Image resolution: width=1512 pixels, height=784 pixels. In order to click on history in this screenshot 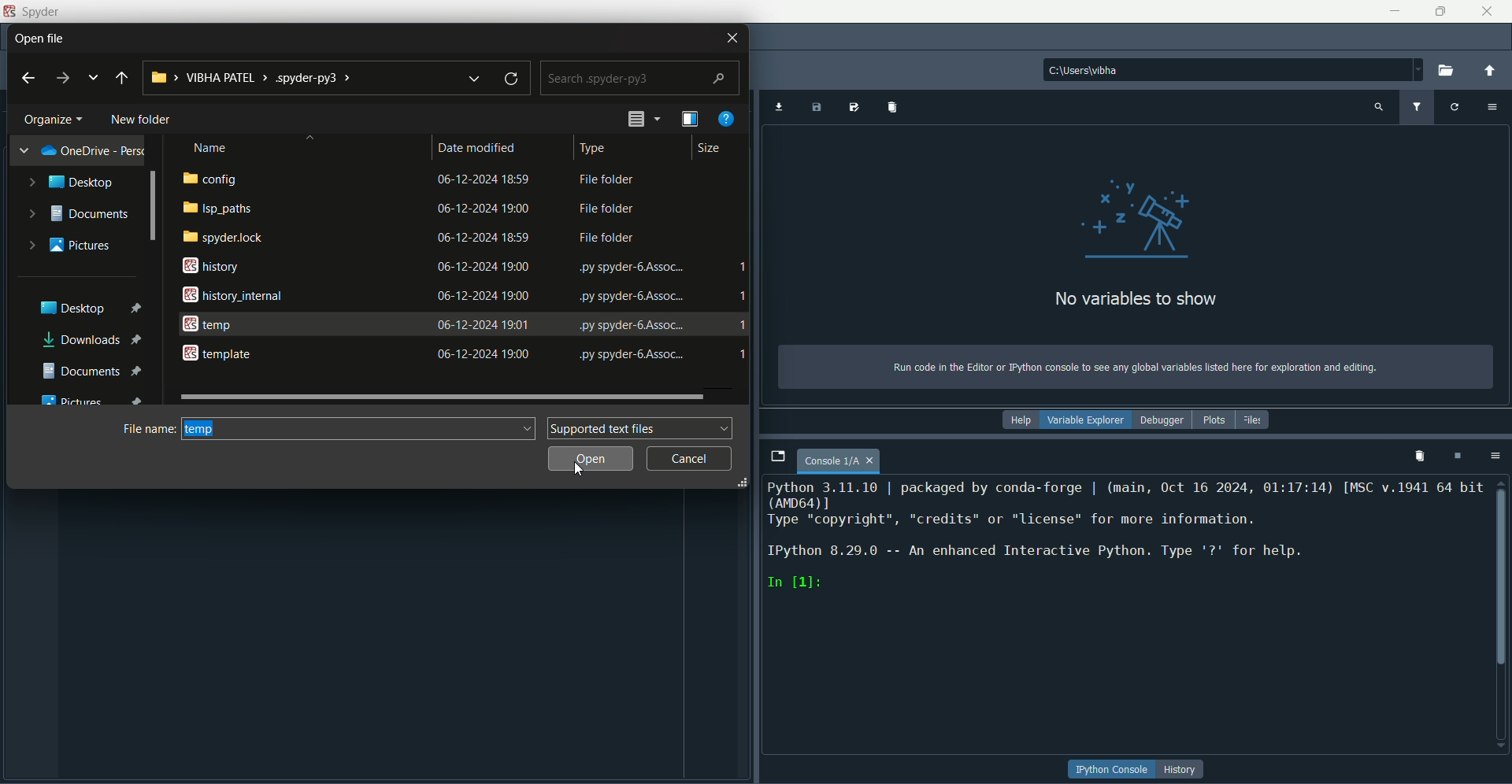, I will do `click(1184, 770)`.